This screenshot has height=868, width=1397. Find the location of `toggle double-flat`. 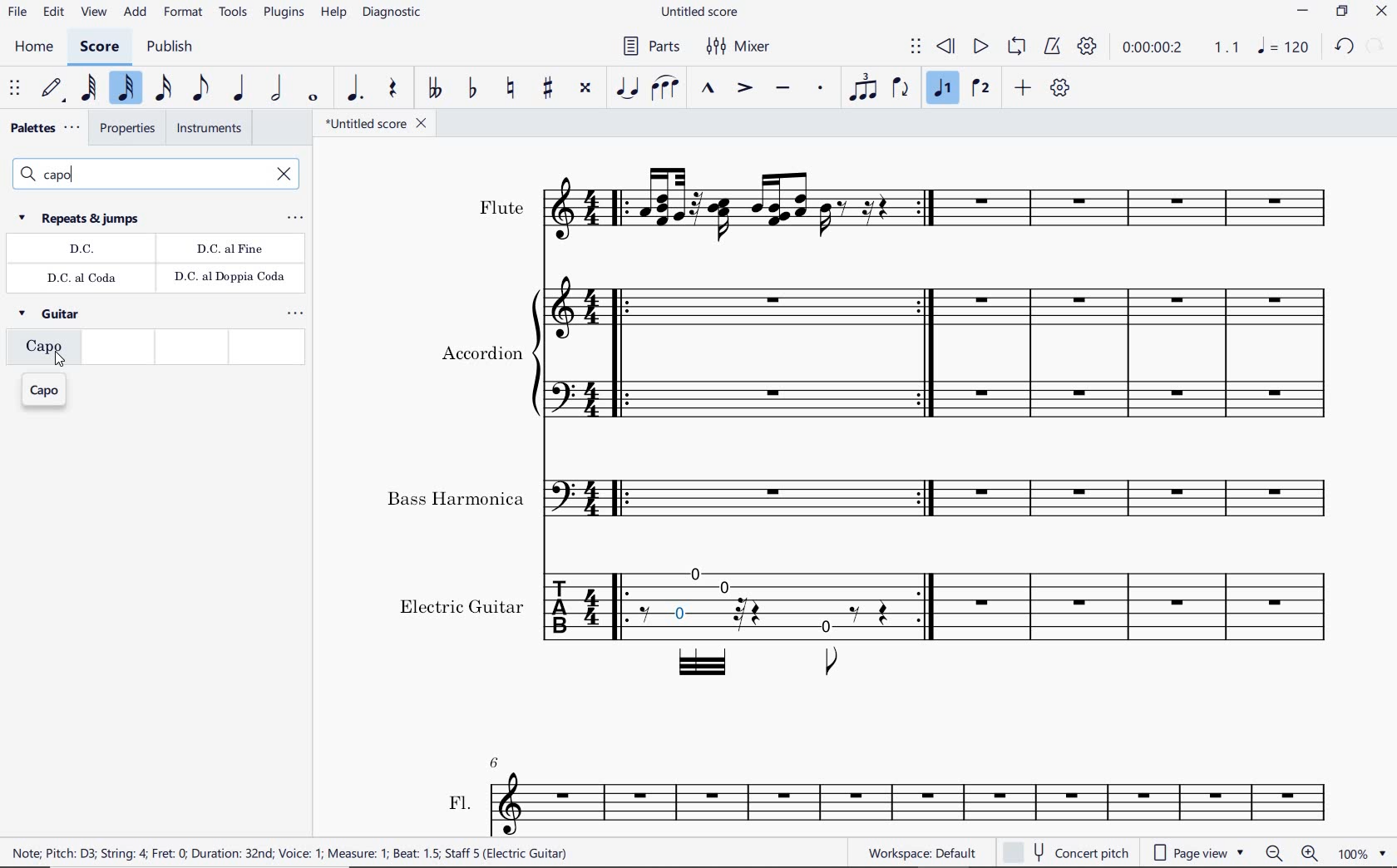

toggle double-flat is located at coordinates (432, 89).